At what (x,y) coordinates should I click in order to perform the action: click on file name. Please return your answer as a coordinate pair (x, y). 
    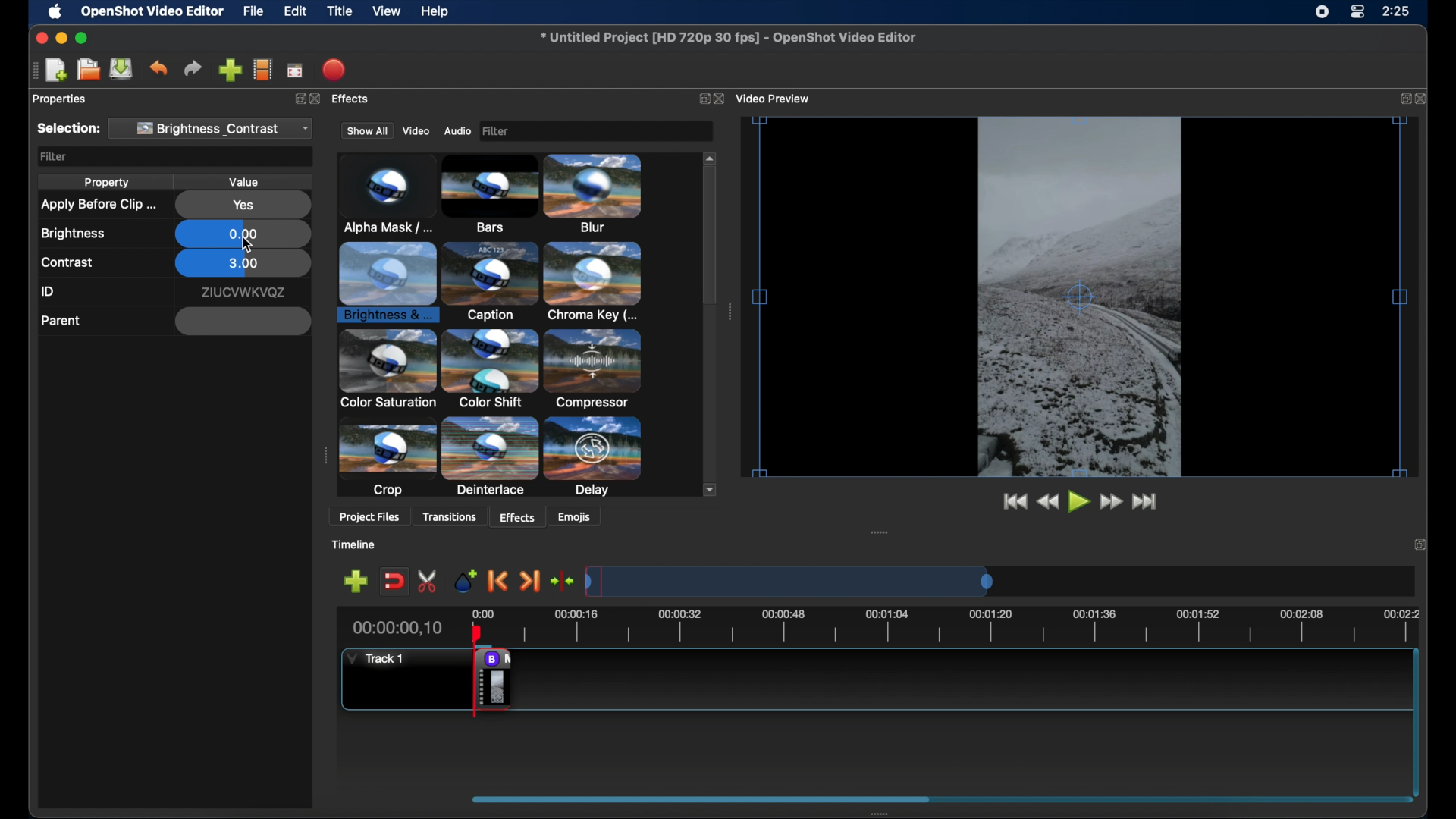
    Looking at the image, I should click on (728, 38).